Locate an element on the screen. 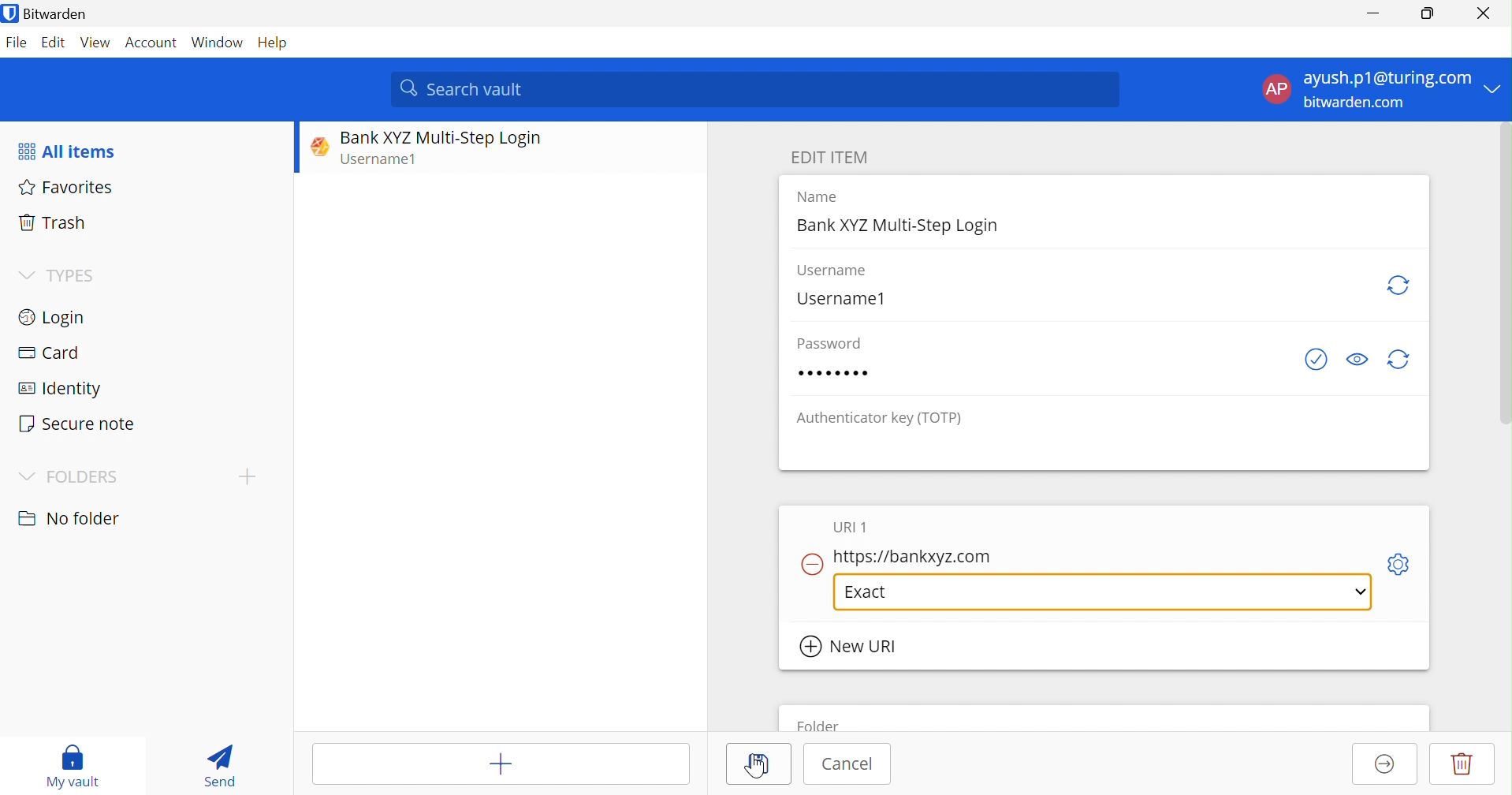 This screenshot has width=1512, height=795. Remove is located at coordinates (810, 565).